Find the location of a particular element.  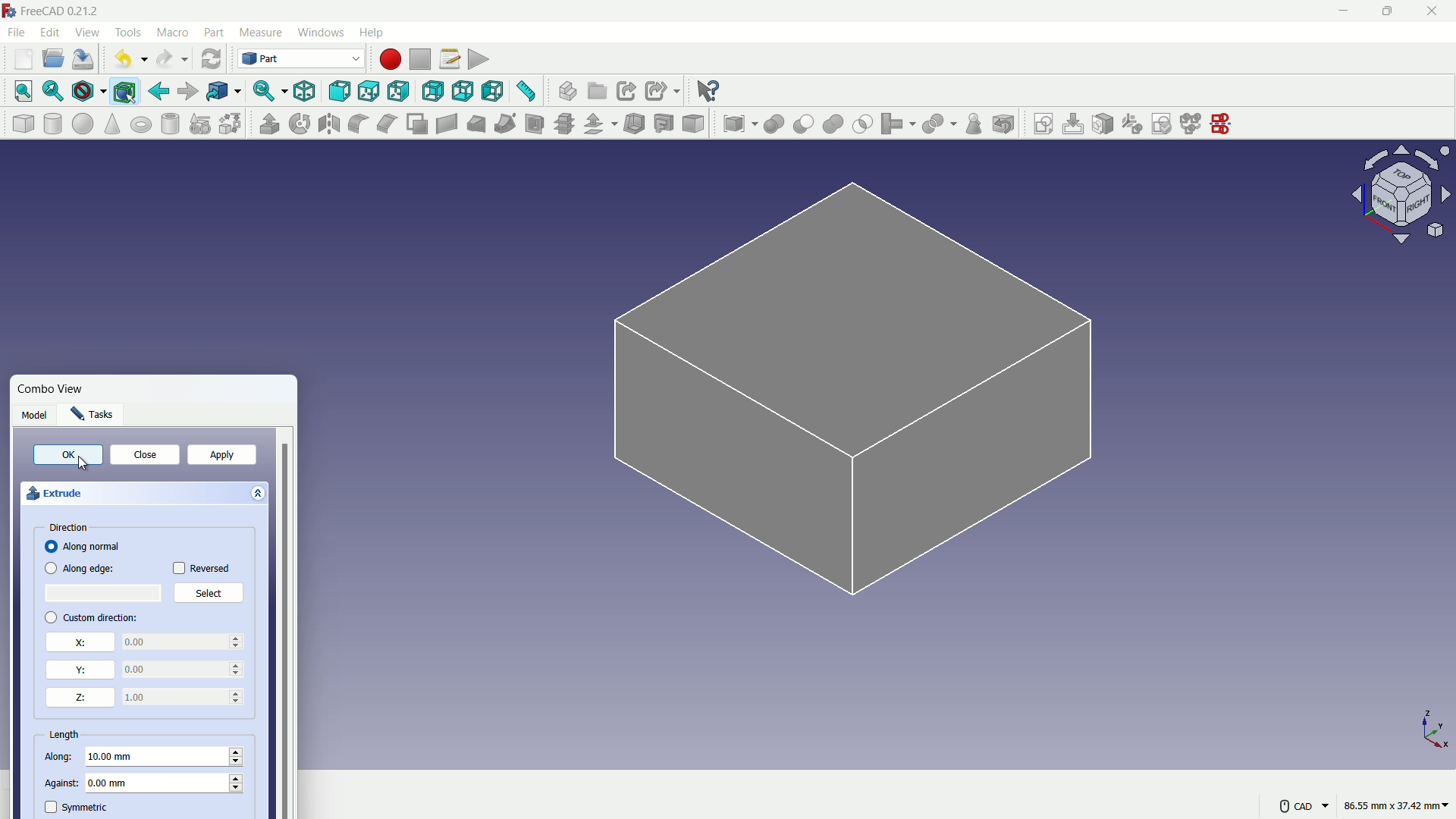

against length is located at coordinates (67, 783).